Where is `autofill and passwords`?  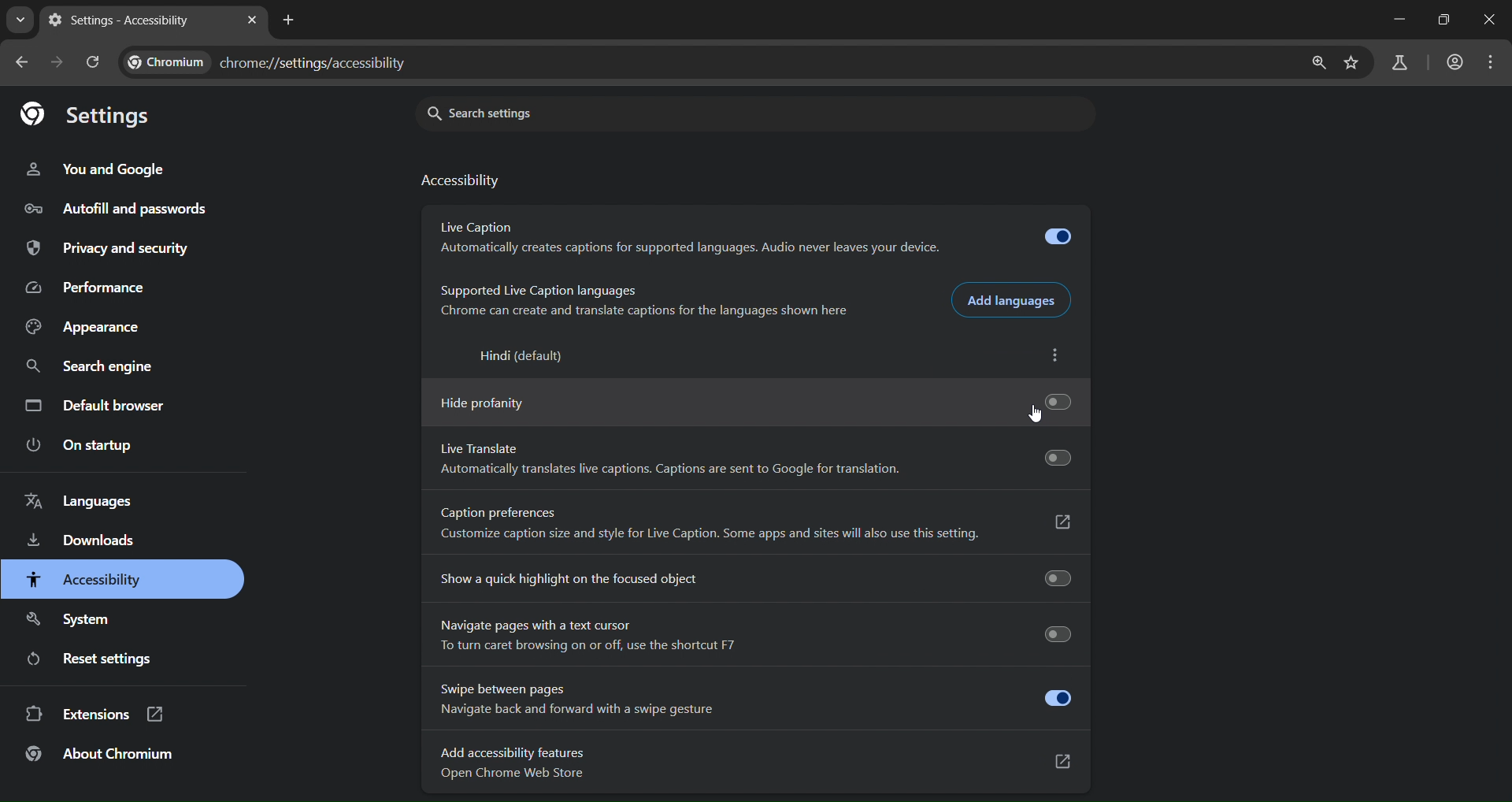
autofill and passwords is located at coordinates (124, 208).